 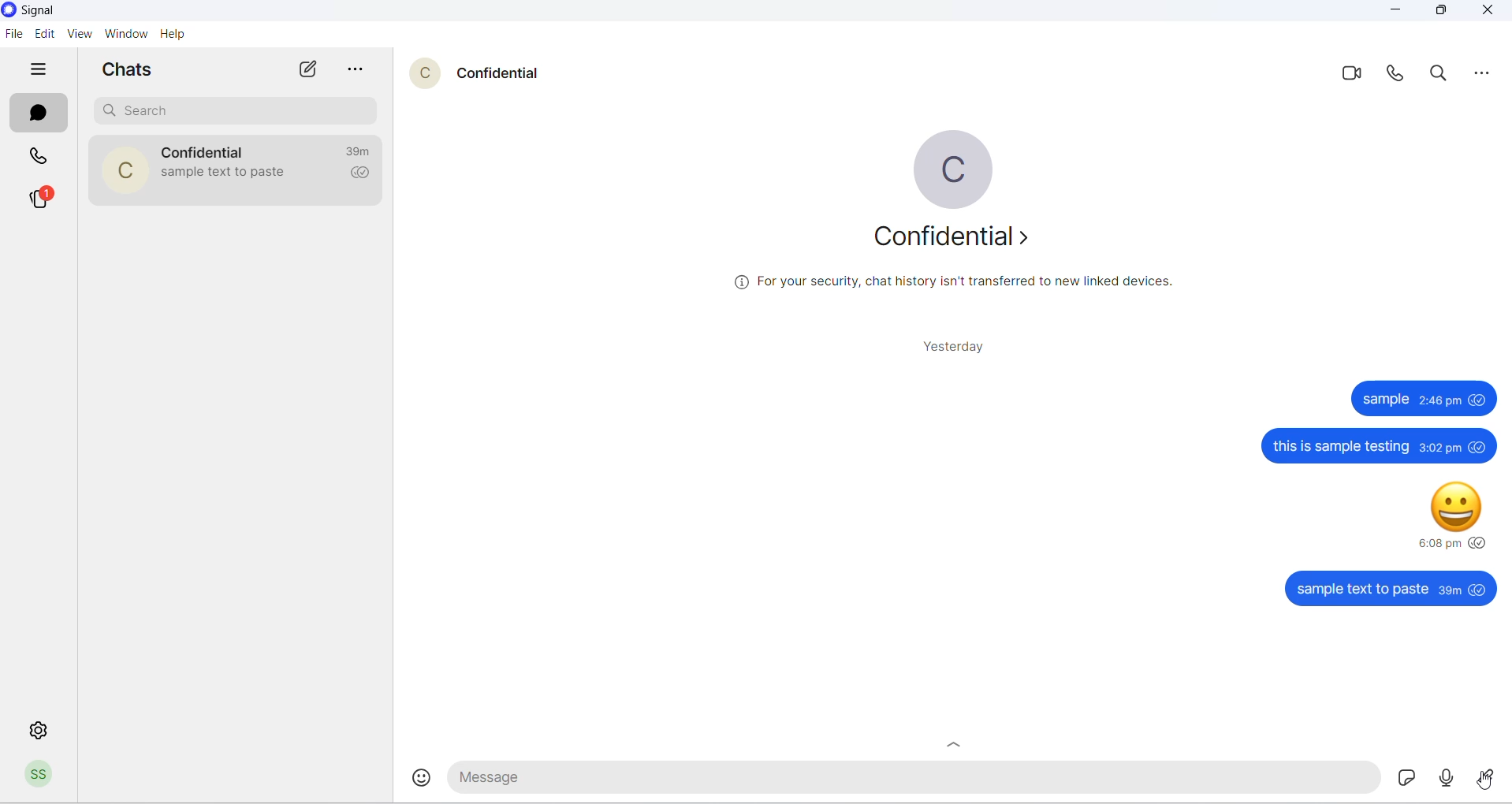 I want to click on more options, so click(x=359, y=71).